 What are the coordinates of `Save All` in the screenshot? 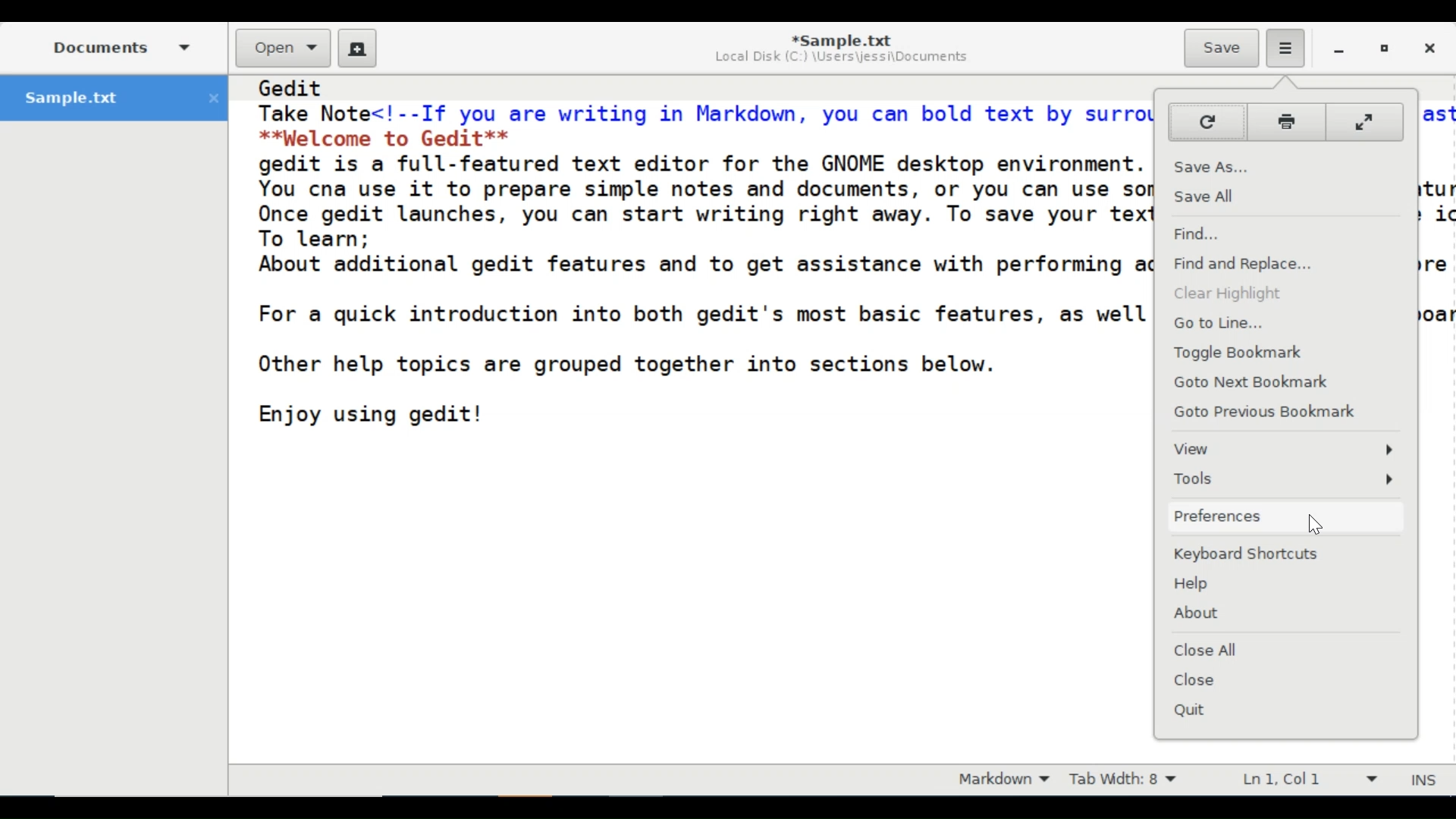 It's located at (1213, 196).